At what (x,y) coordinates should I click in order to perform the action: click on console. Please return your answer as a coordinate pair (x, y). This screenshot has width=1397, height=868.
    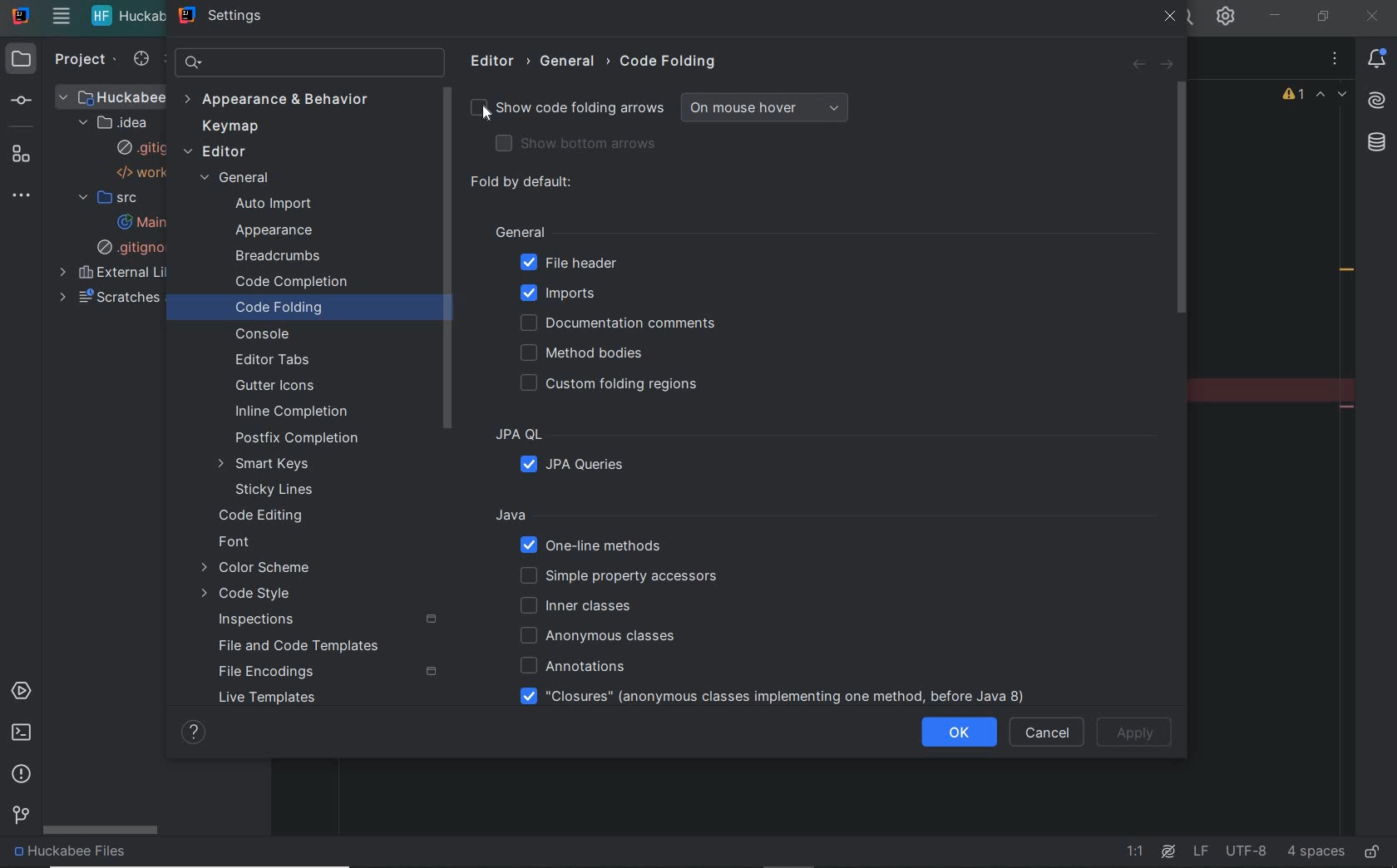
    Looking at the image, I should click on (259, 335).